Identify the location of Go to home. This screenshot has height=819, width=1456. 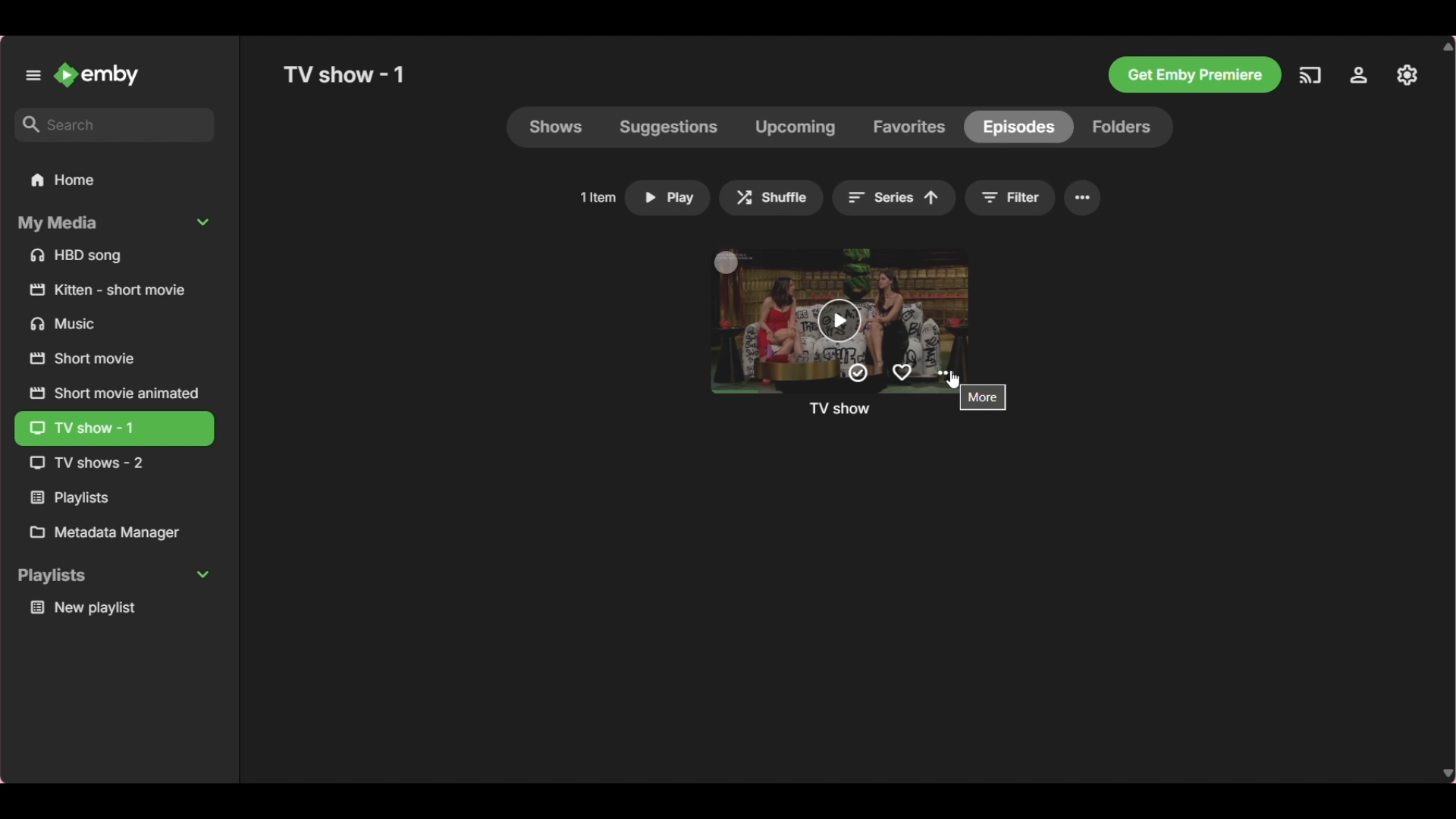
(98, 74).